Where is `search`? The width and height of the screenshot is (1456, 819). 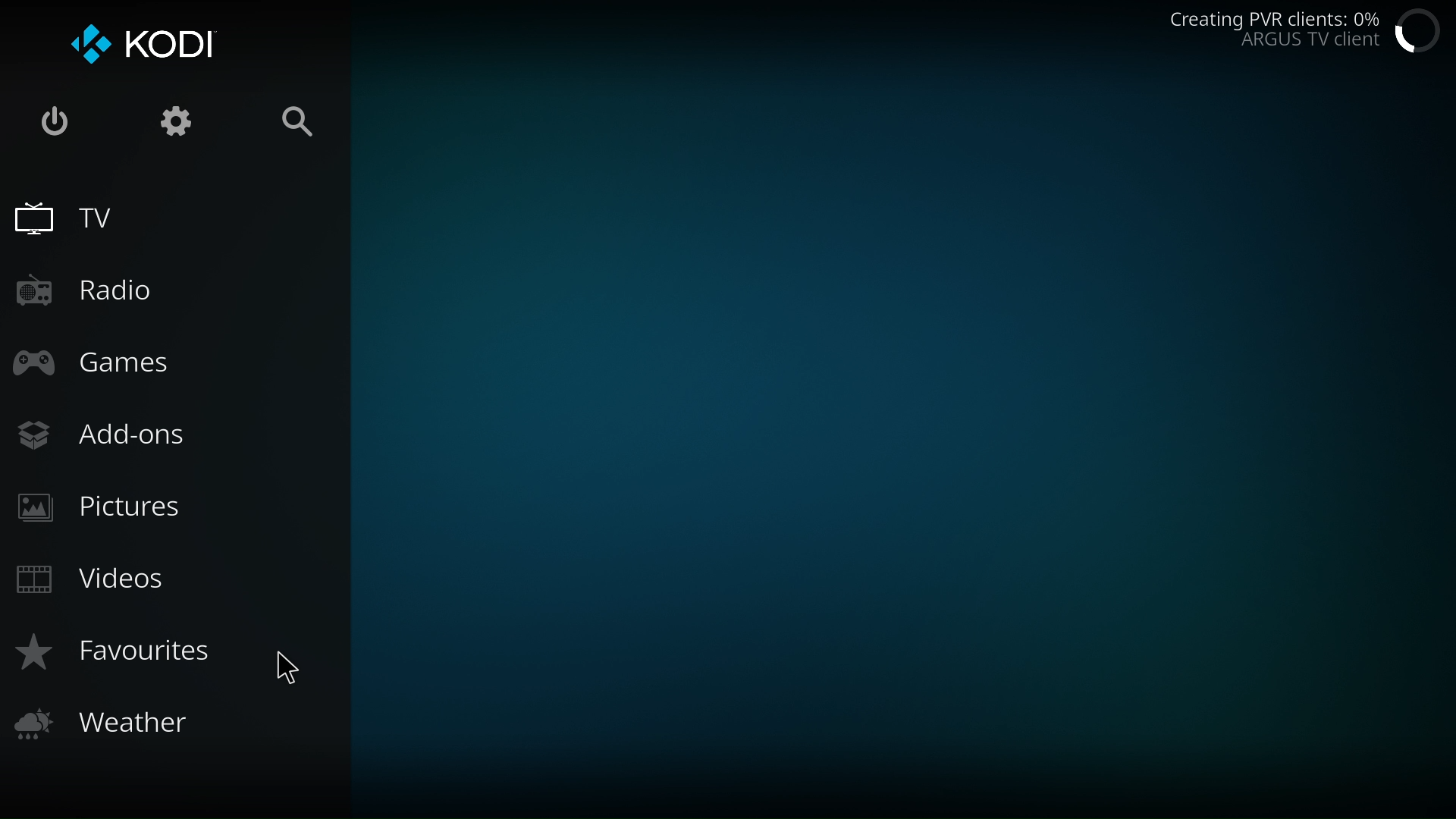 search is located at coordinates (301, 124).